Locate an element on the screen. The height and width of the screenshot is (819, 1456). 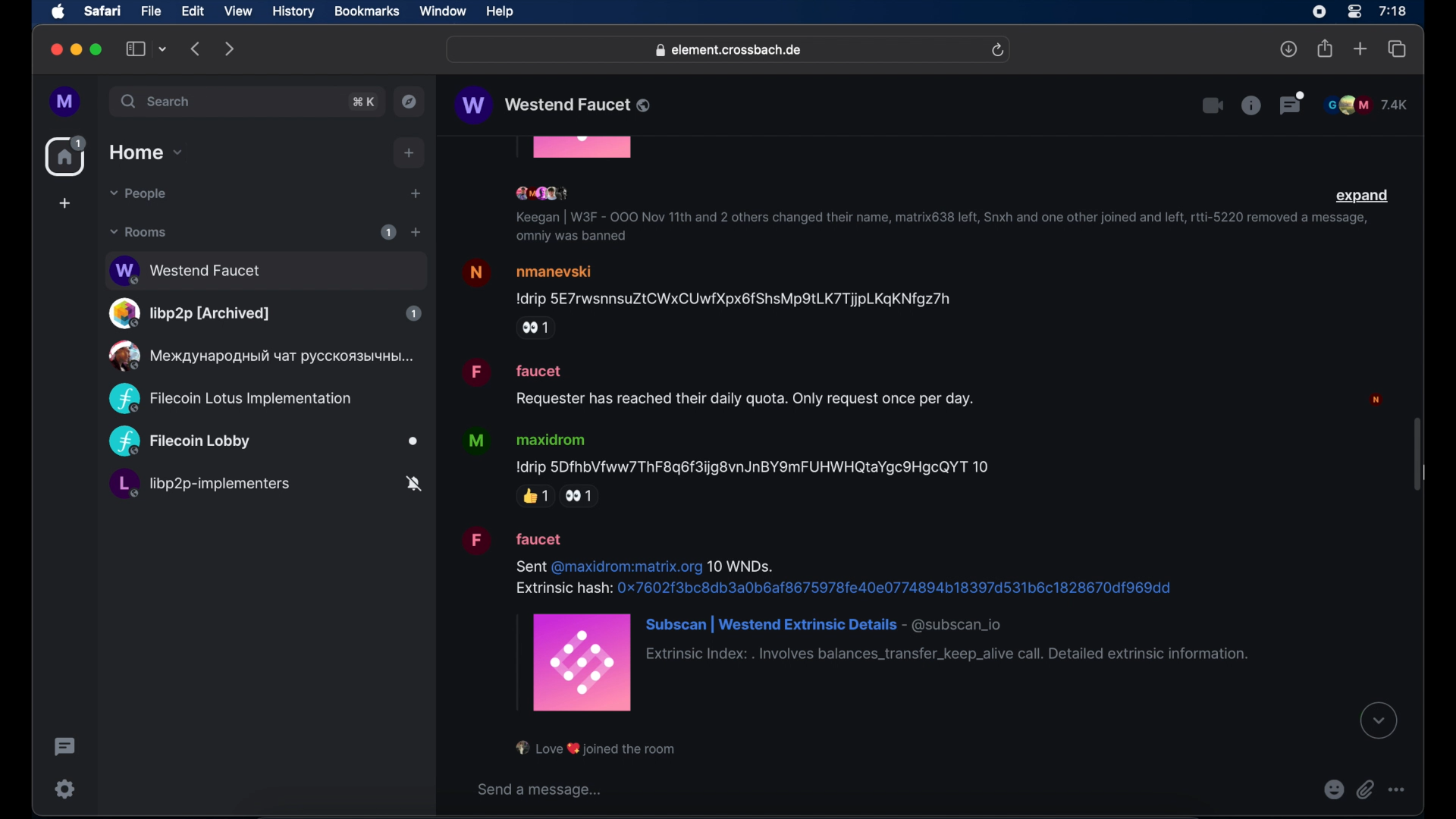
home dropdown is located at coordinates (146, 152).